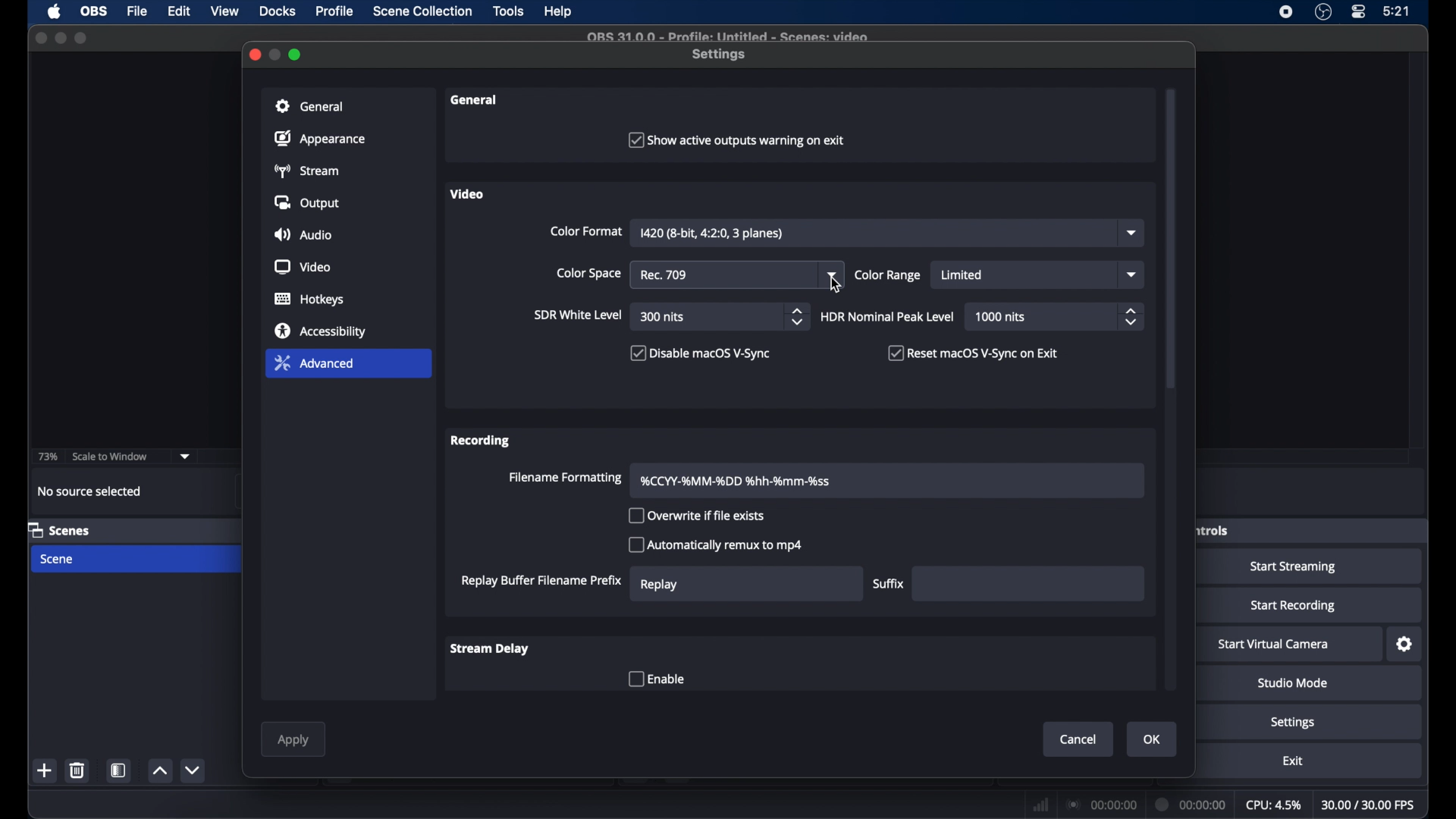 The image size is (1456, 819). What do you see at coordinates (61, 38) in the screenshot?
I see `minimize` at bounding box center [61, 38].